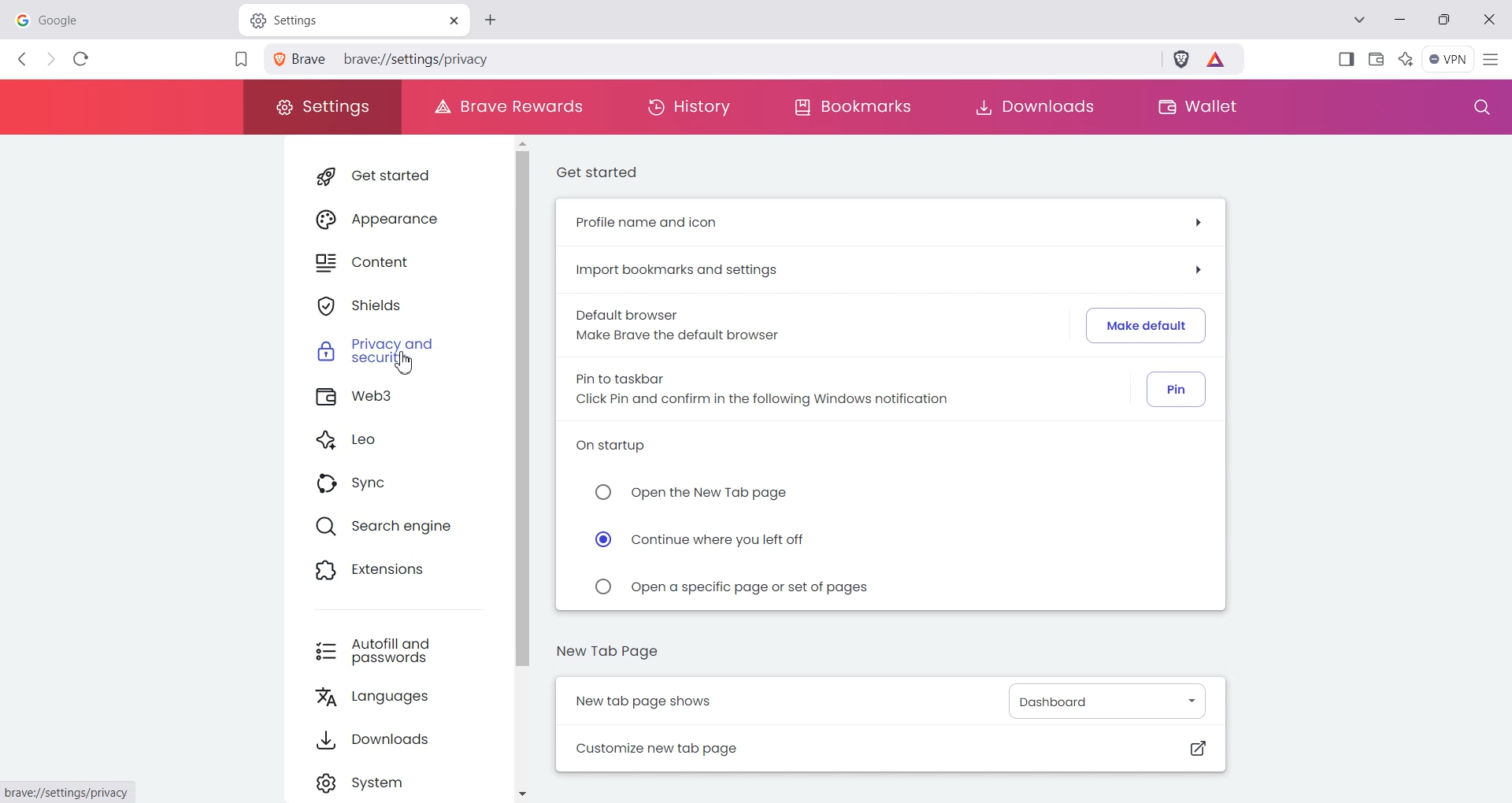  I want to click on Forward, so click(50, 60).